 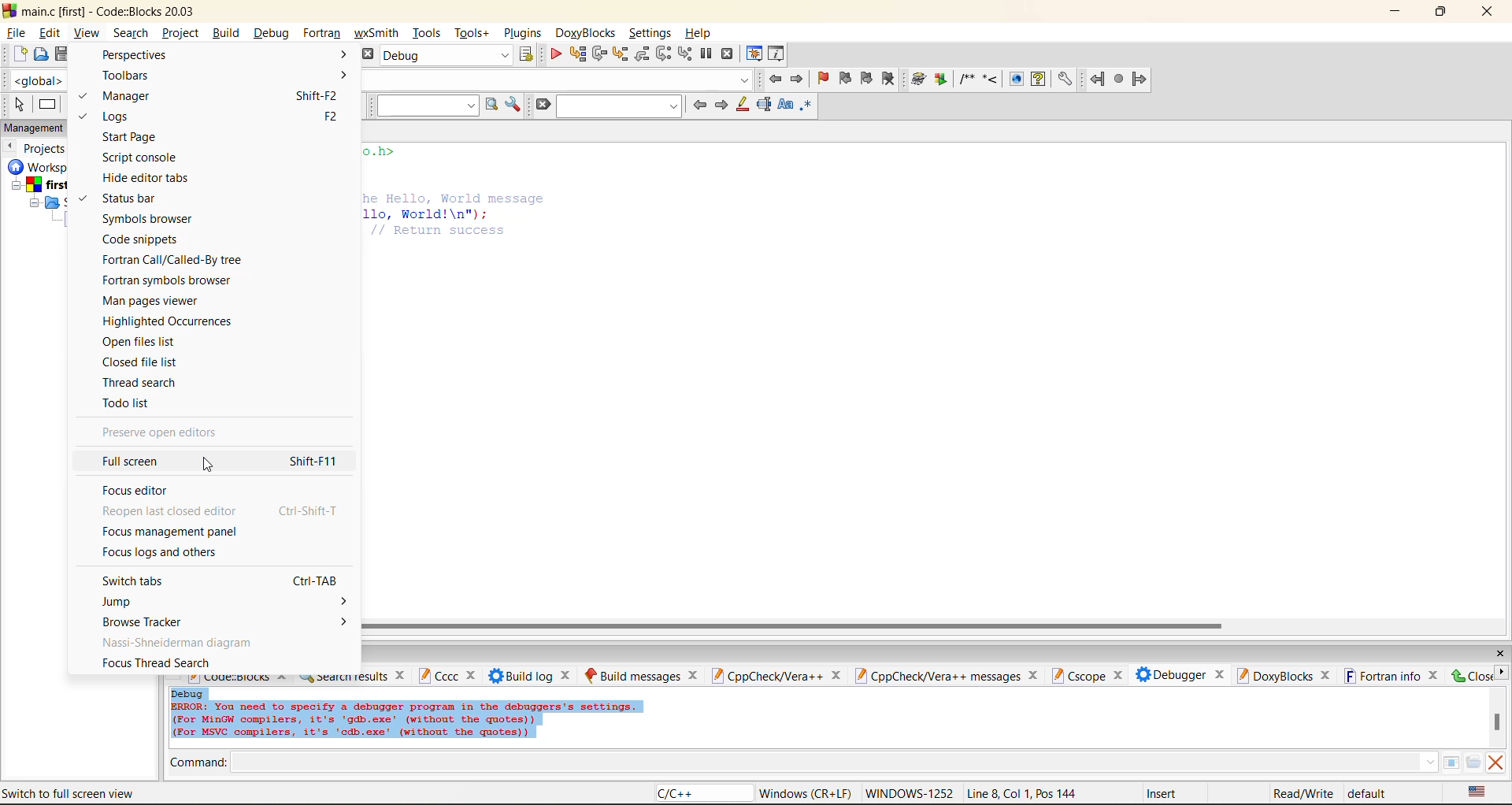 I want to click on tools, so click(x=426, y=31).